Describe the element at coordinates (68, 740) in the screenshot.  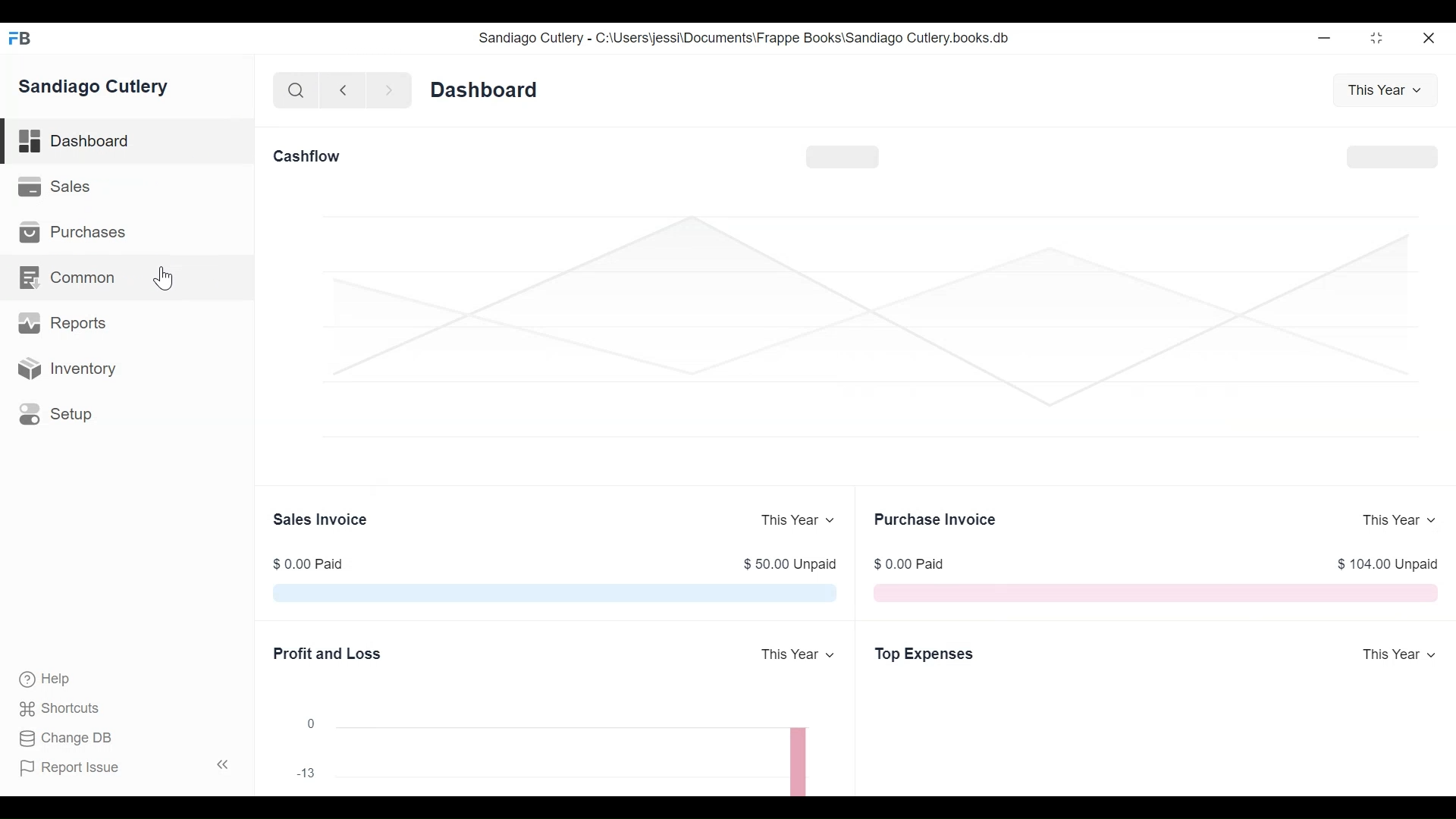
I see `Change DB` at that location.